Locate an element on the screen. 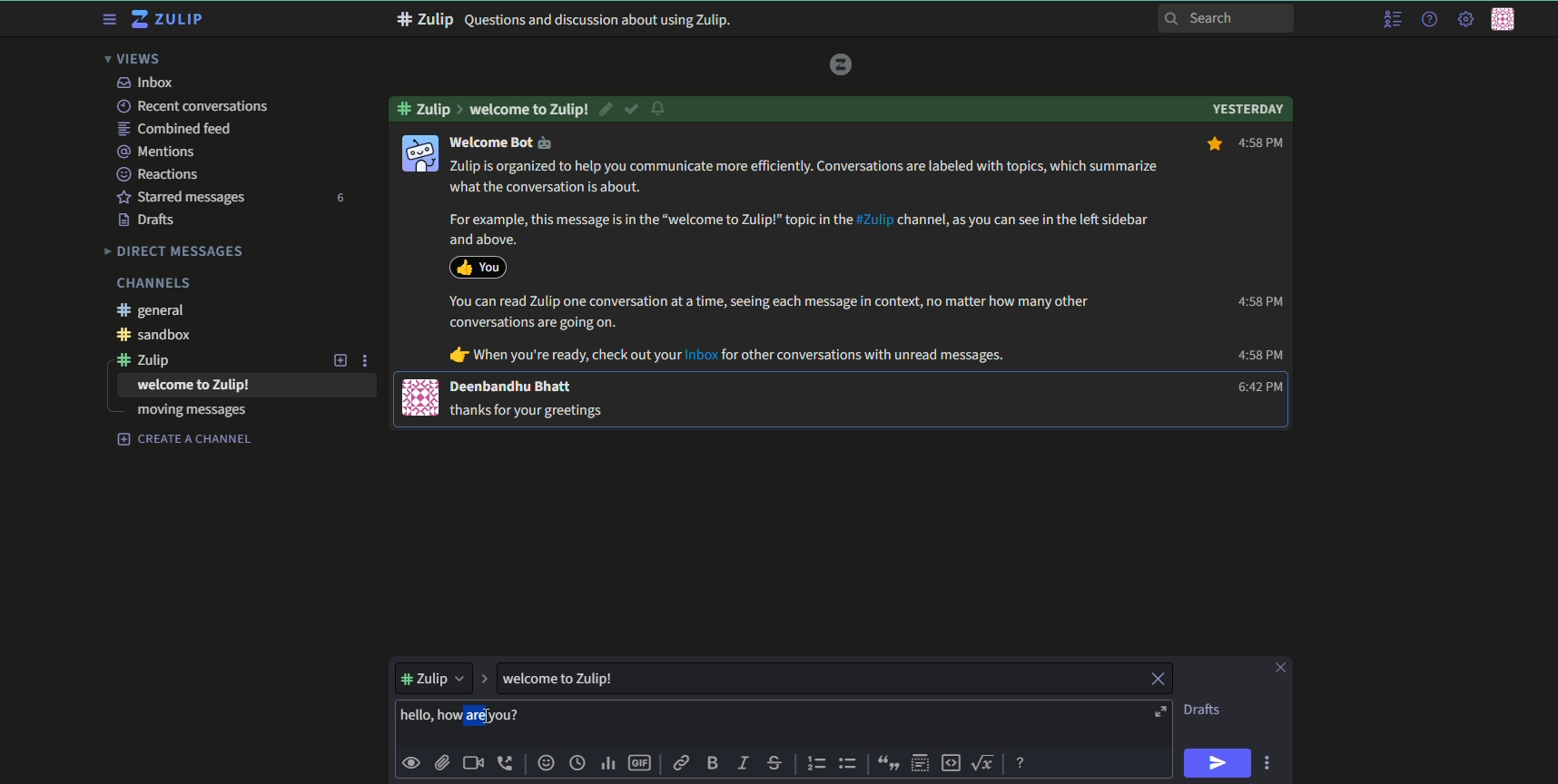 This screenshot has width=1558, height=784. welcome Bot is located at coordinates (501, 142).